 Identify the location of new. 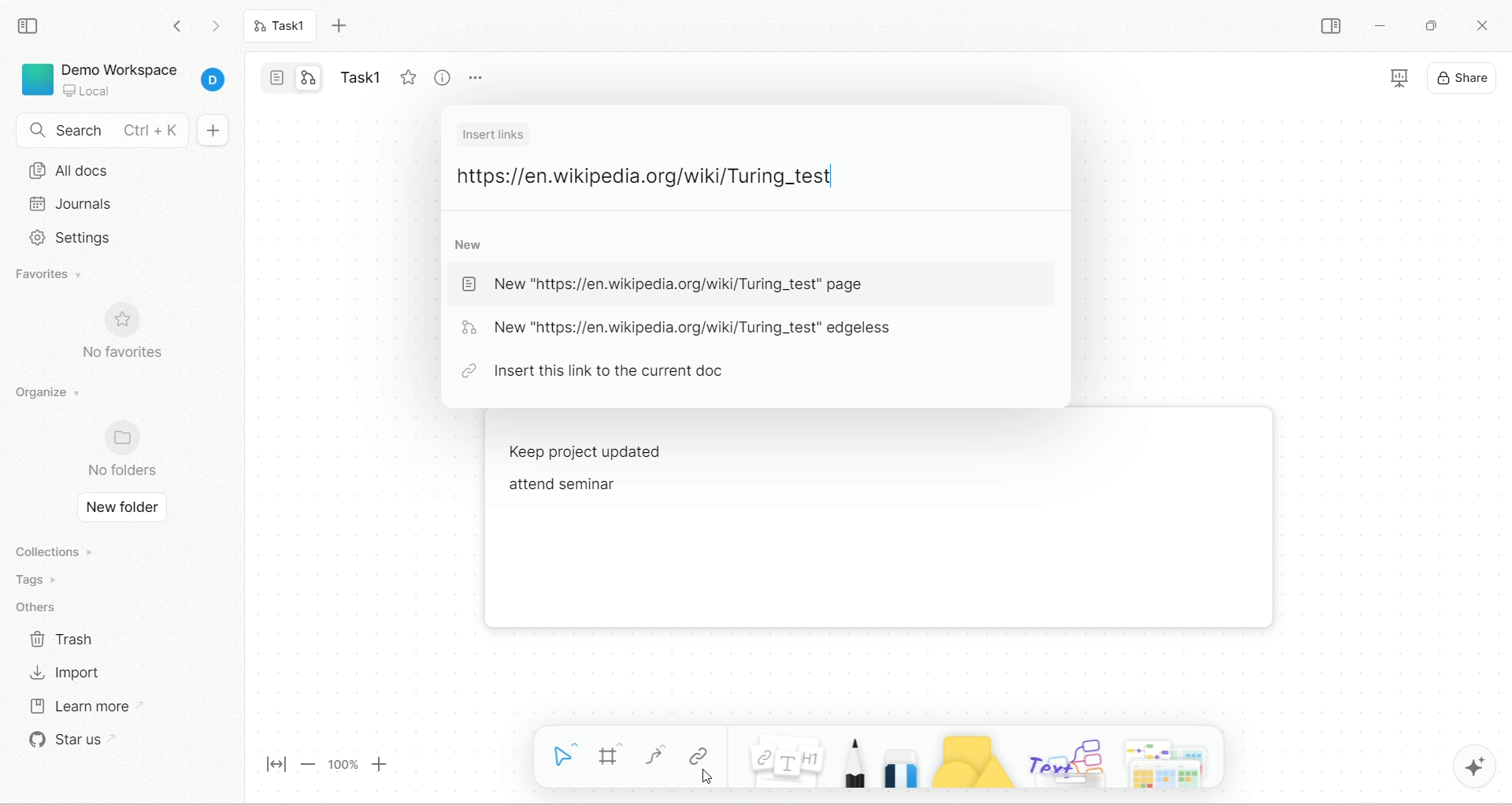
(469, 244).